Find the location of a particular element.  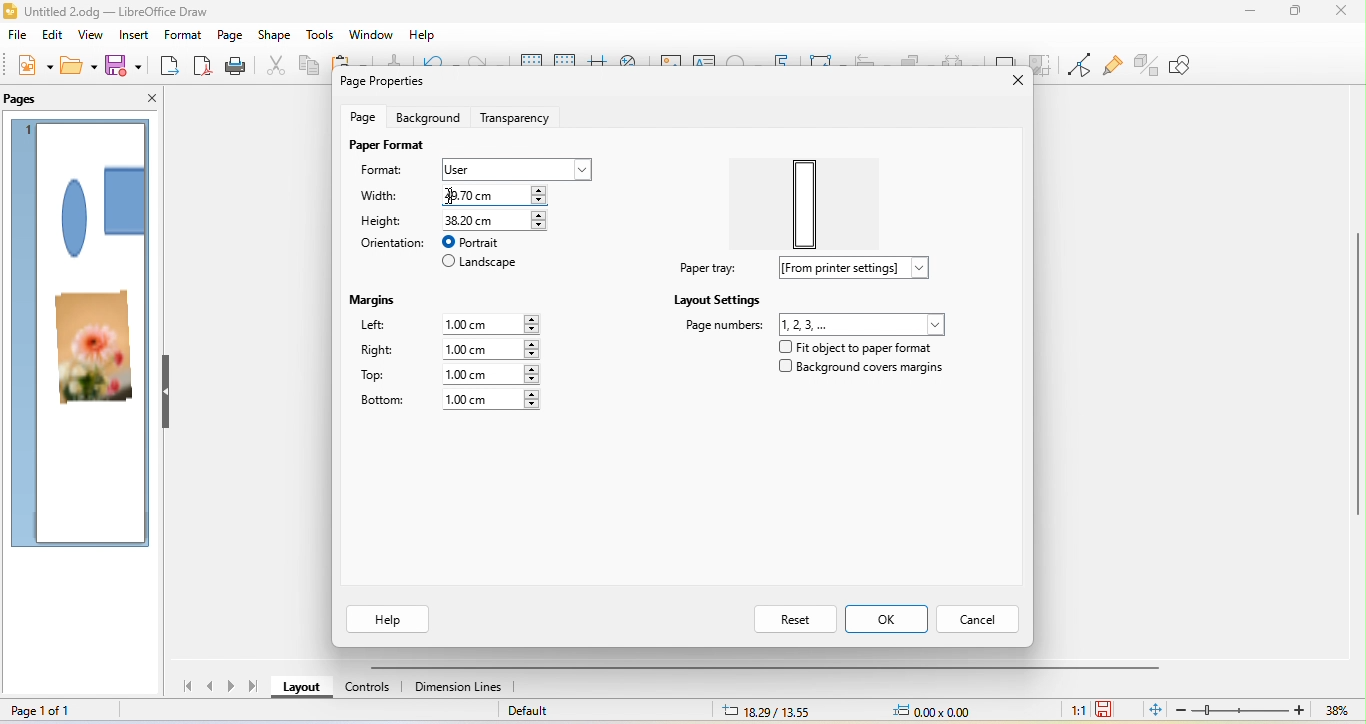

paste is located at coordinates (353, 62).